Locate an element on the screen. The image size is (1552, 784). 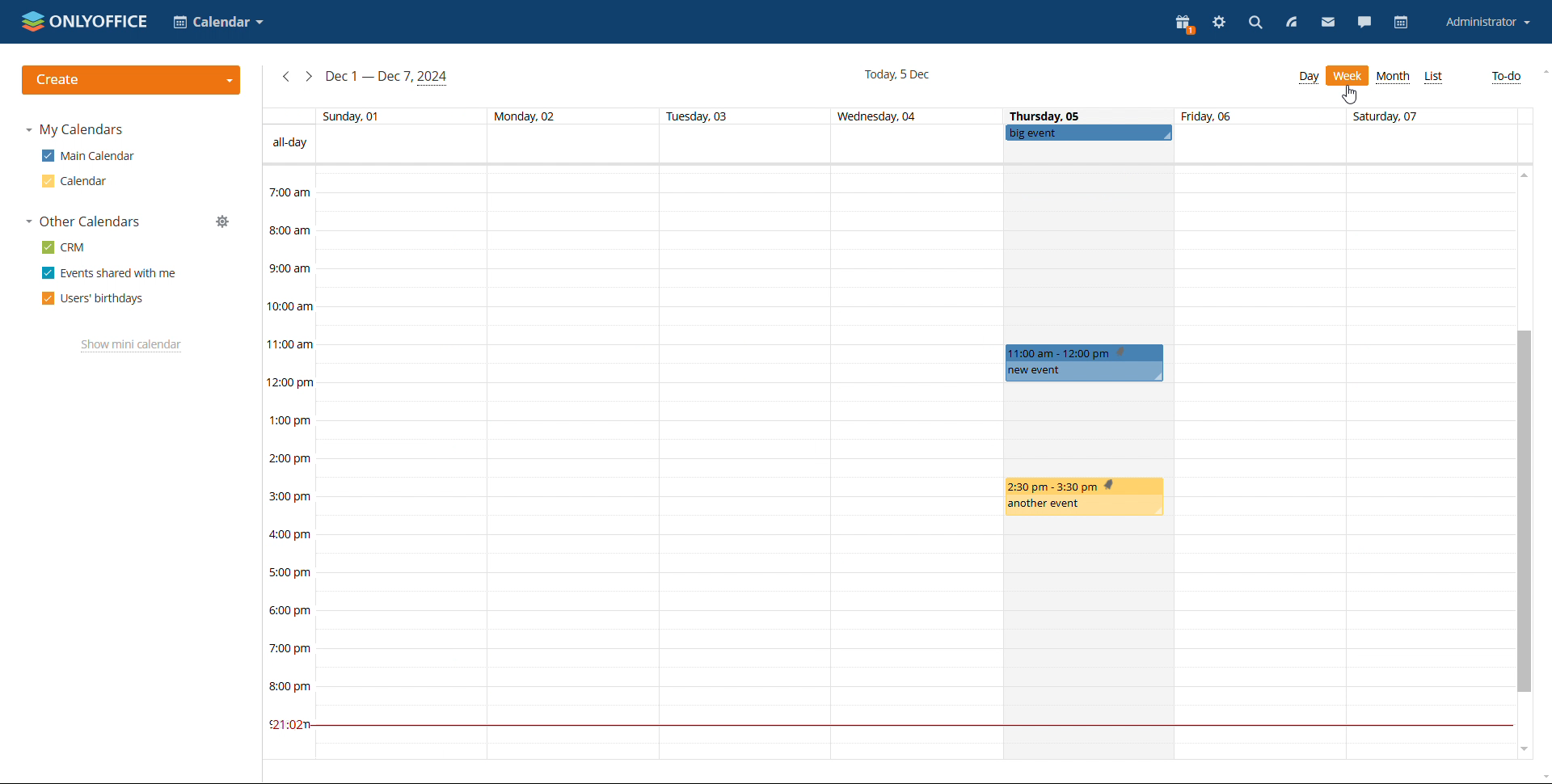
all day event is located at coordinates (1088, 132).